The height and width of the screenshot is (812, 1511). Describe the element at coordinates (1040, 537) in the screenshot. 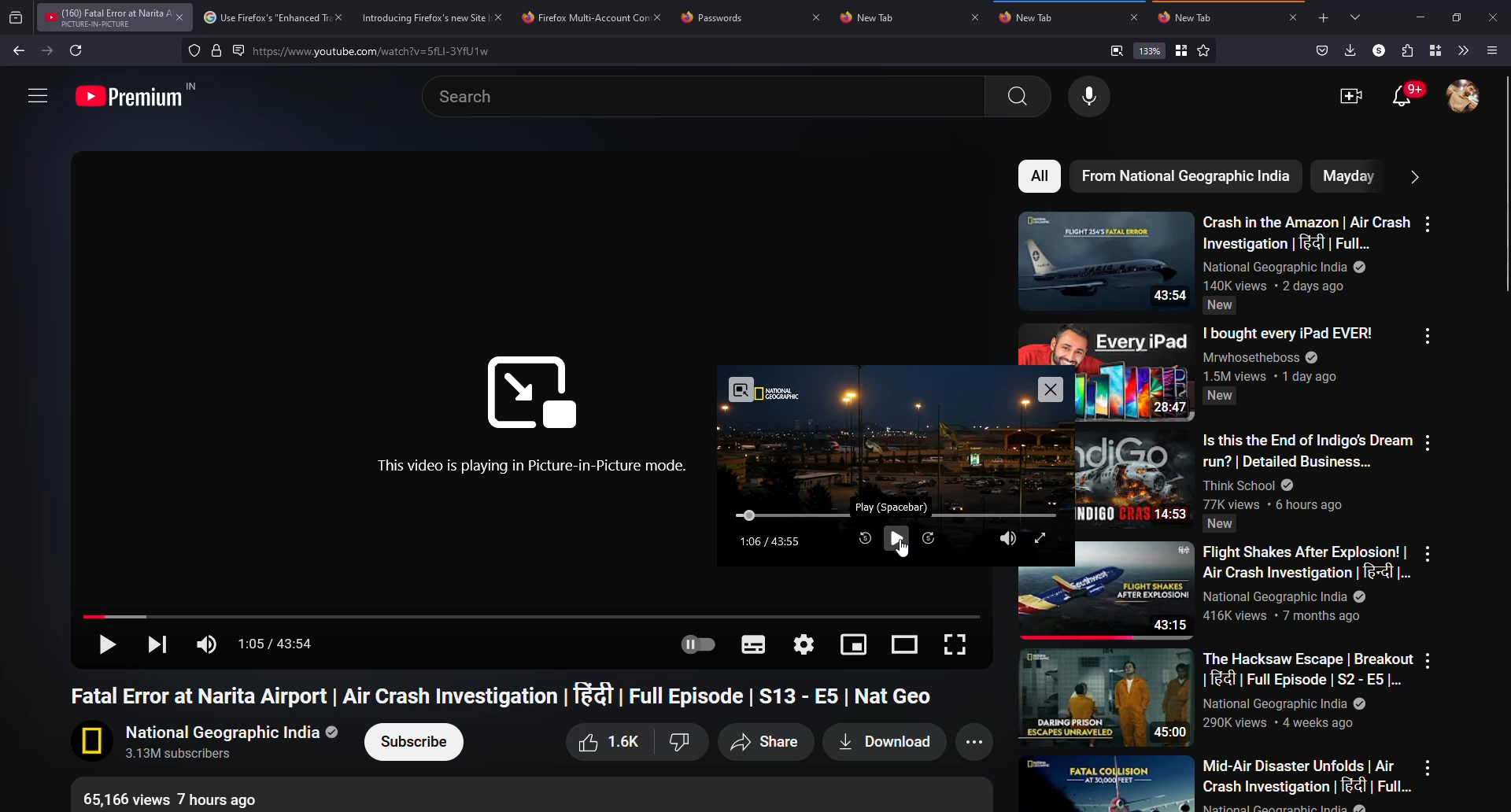

I see `expand` at that location.